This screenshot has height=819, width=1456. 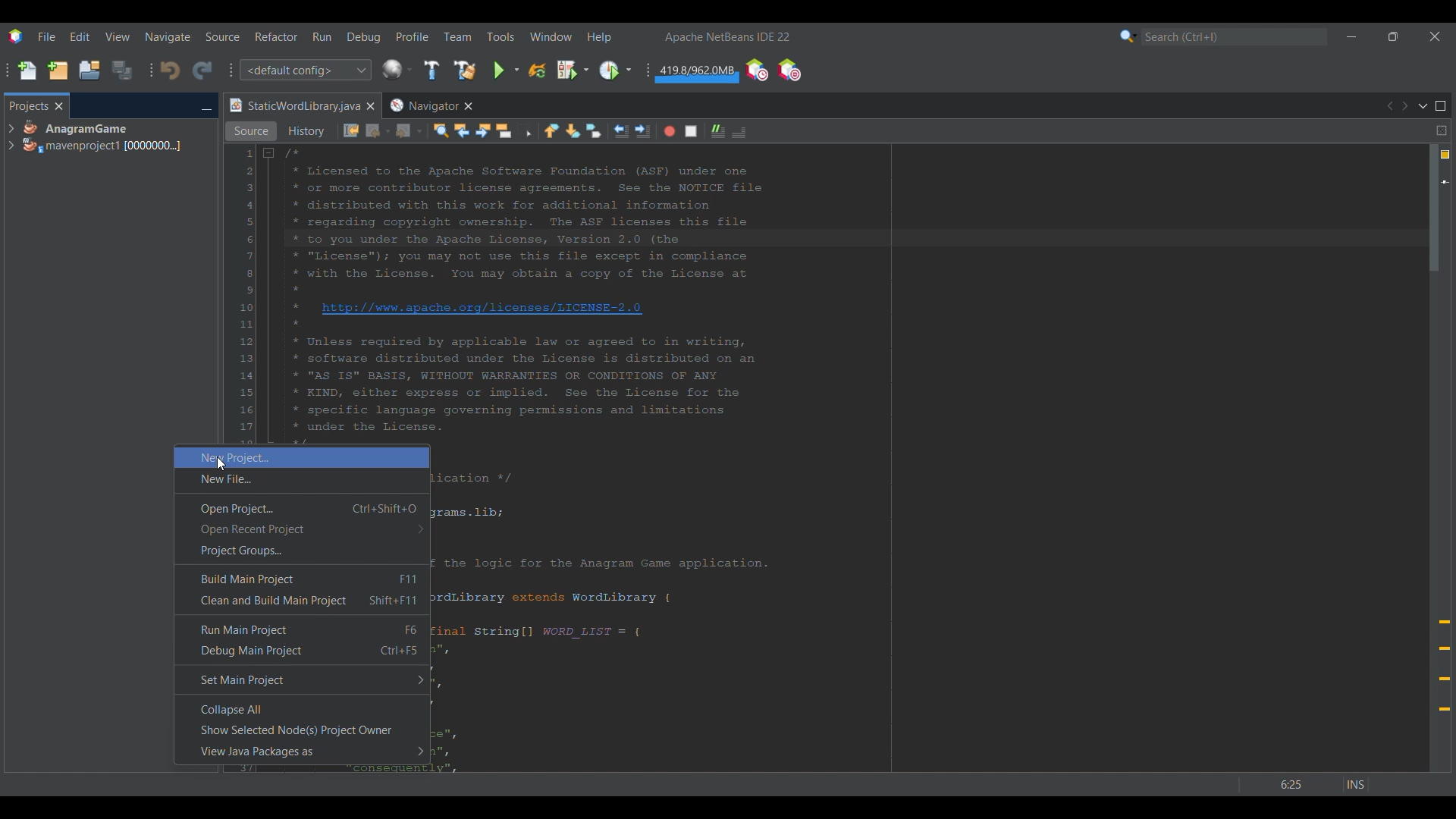 What do you see at coordinates (1445, 155) in the screenshot?
I see `4 warnings` at bounding box center [1445, 155].